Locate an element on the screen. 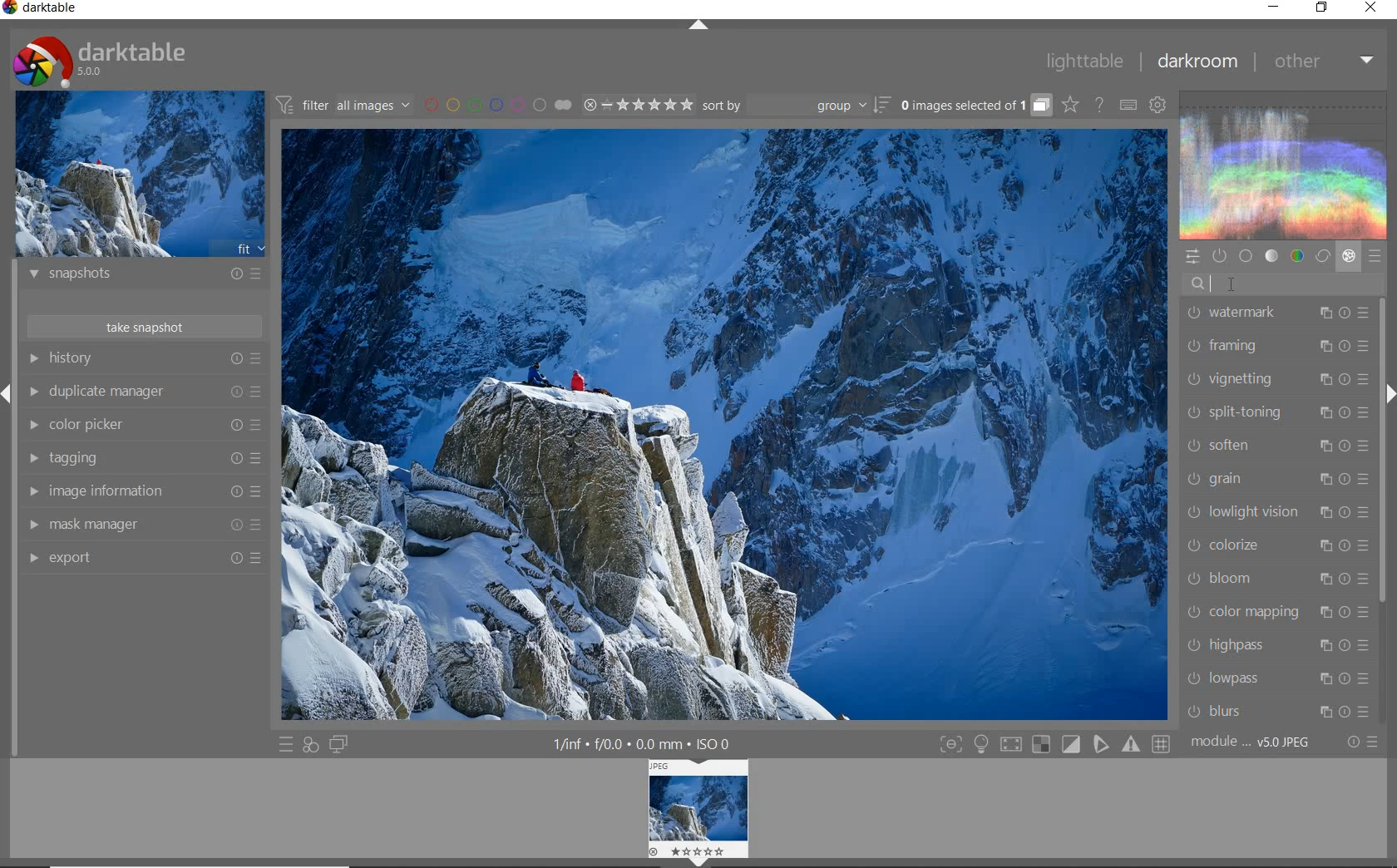 This screenshot has height=868, width=1397. close is located at coordinates (1371, 8).